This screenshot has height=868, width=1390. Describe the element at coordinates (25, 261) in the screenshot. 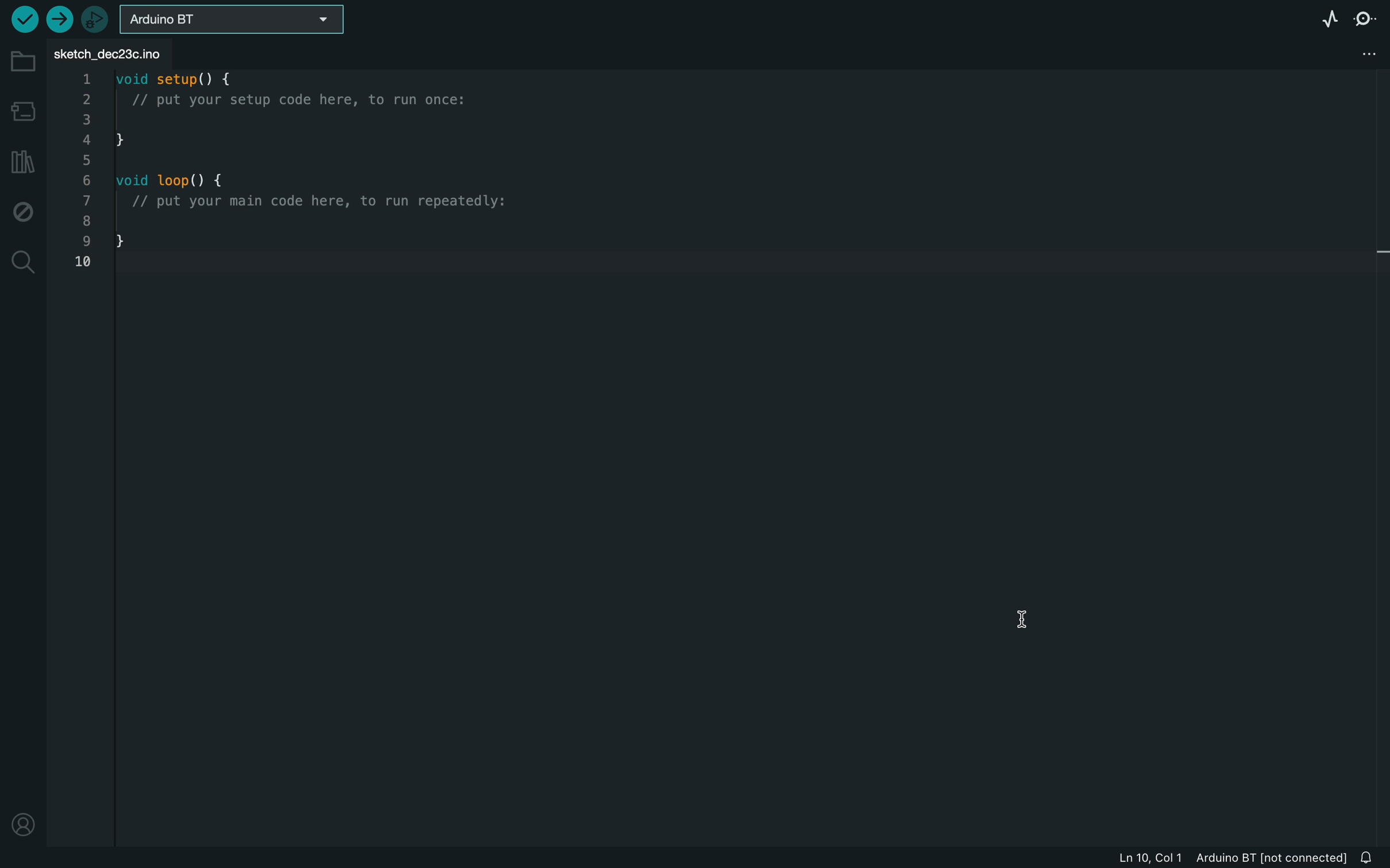

I see `search` at that location.